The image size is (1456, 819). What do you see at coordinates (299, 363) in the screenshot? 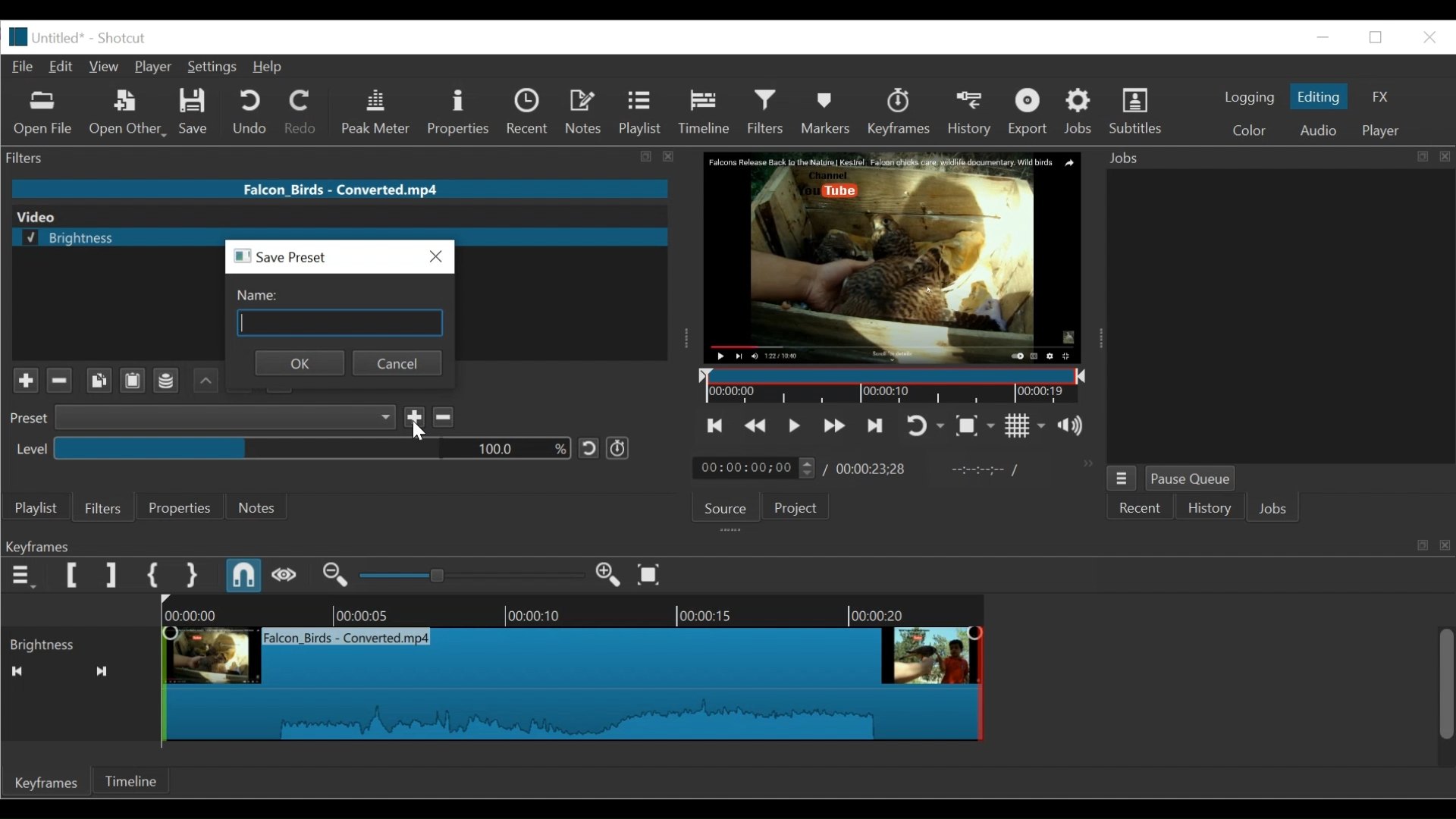
I see `ok` at bounding box center [299, 363].